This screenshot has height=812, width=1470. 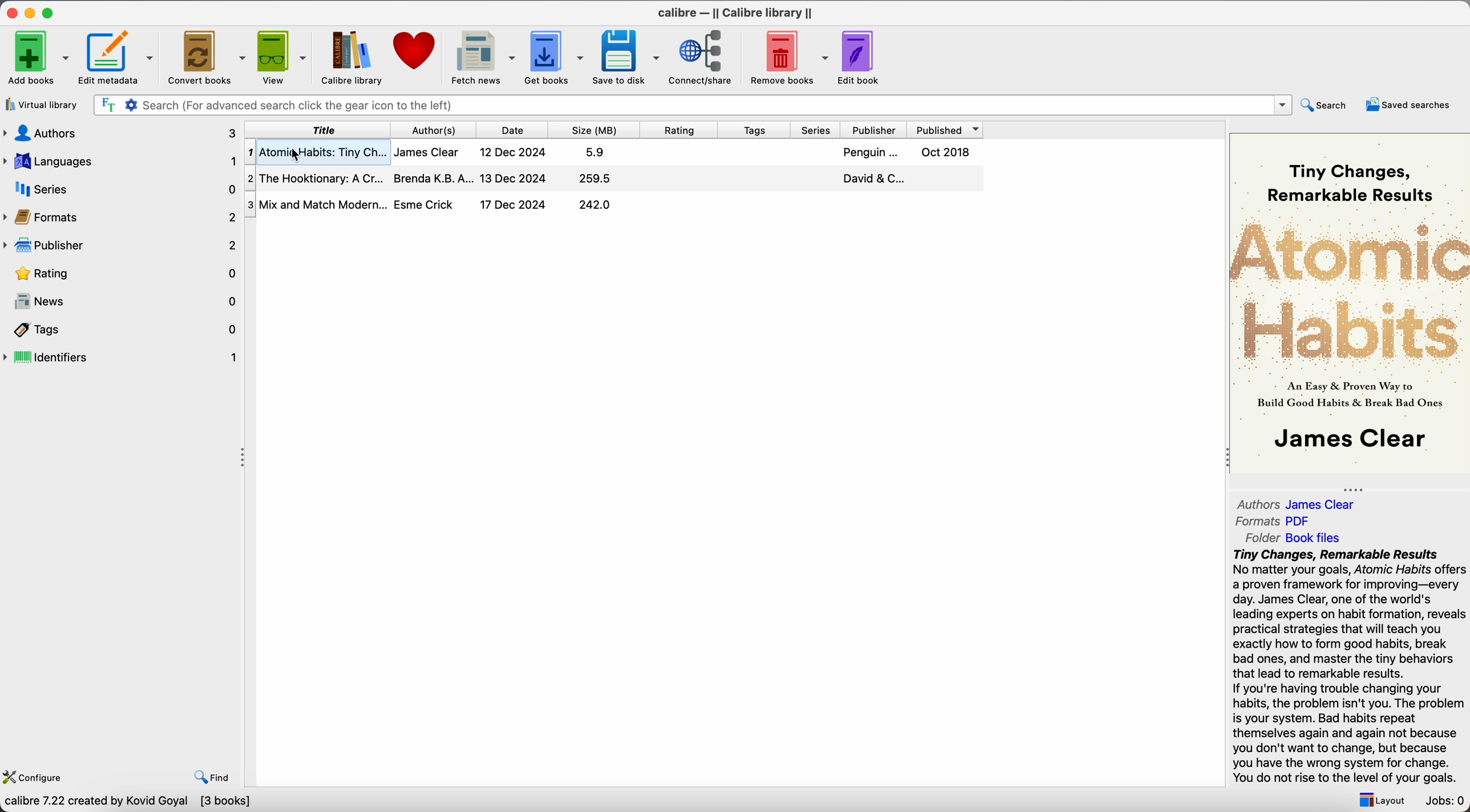 What do you see at coordinates (430, 152) in the screenshot?
I see `James Clear` at bounding box center [430, 152].